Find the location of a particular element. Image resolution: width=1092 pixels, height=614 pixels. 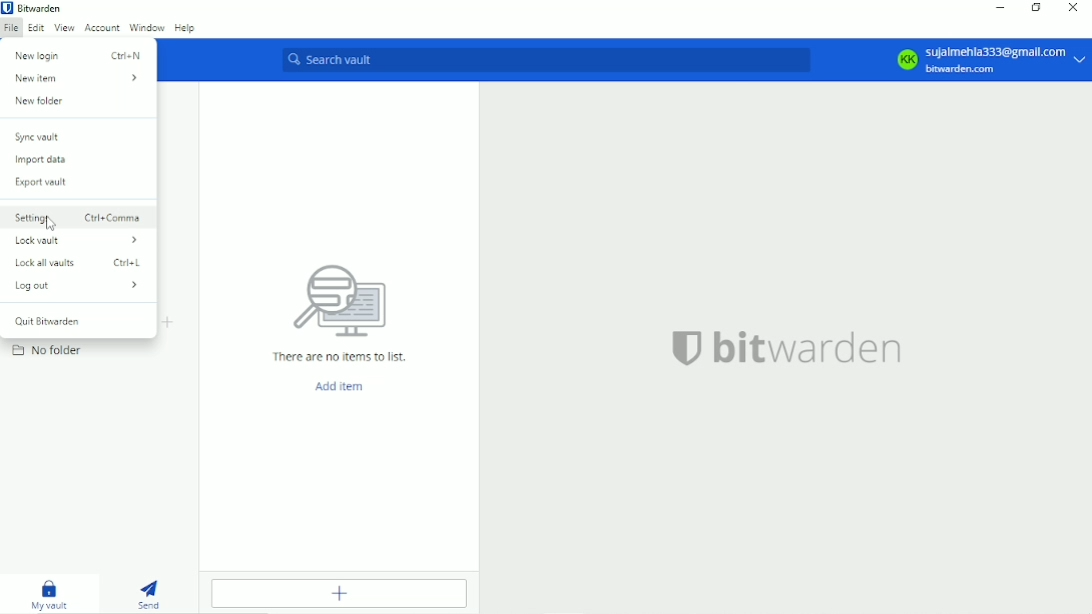

Create folder is located at coordinates (169, 322).